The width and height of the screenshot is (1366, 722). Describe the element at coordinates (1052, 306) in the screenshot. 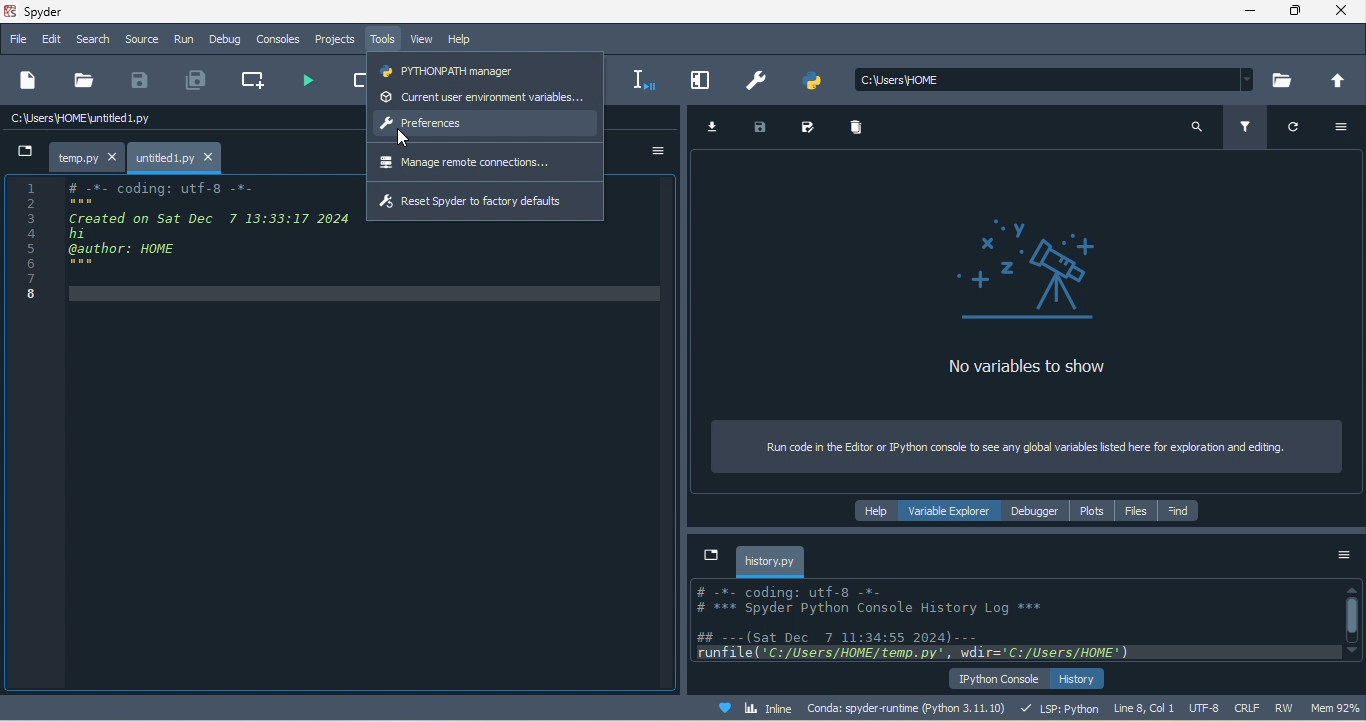

I see `no variables to show` at that location.